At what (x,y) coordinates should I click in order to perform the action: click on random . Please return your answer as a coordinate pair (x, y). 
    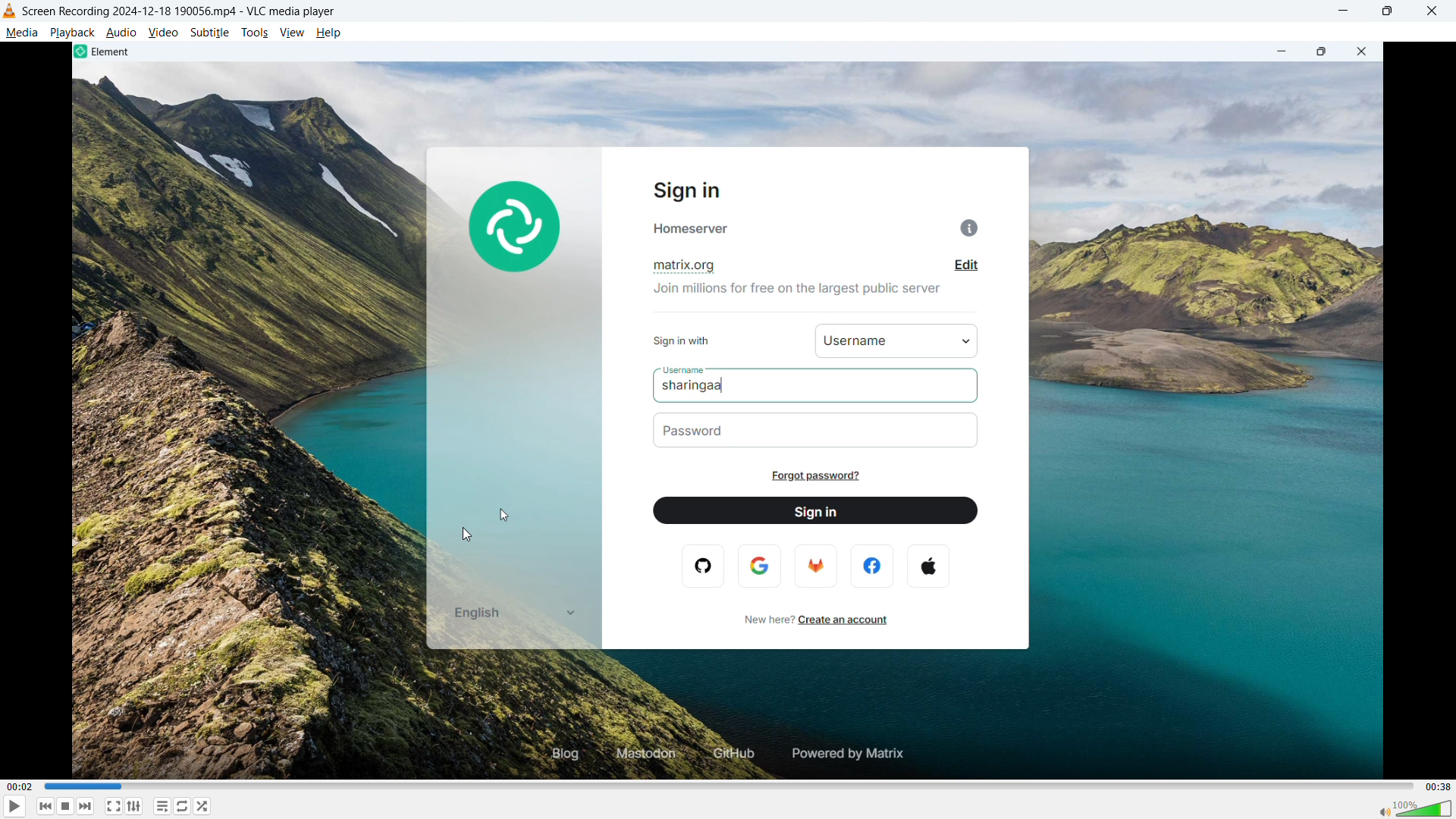
    Looking at the image, I should click on (203, 806).